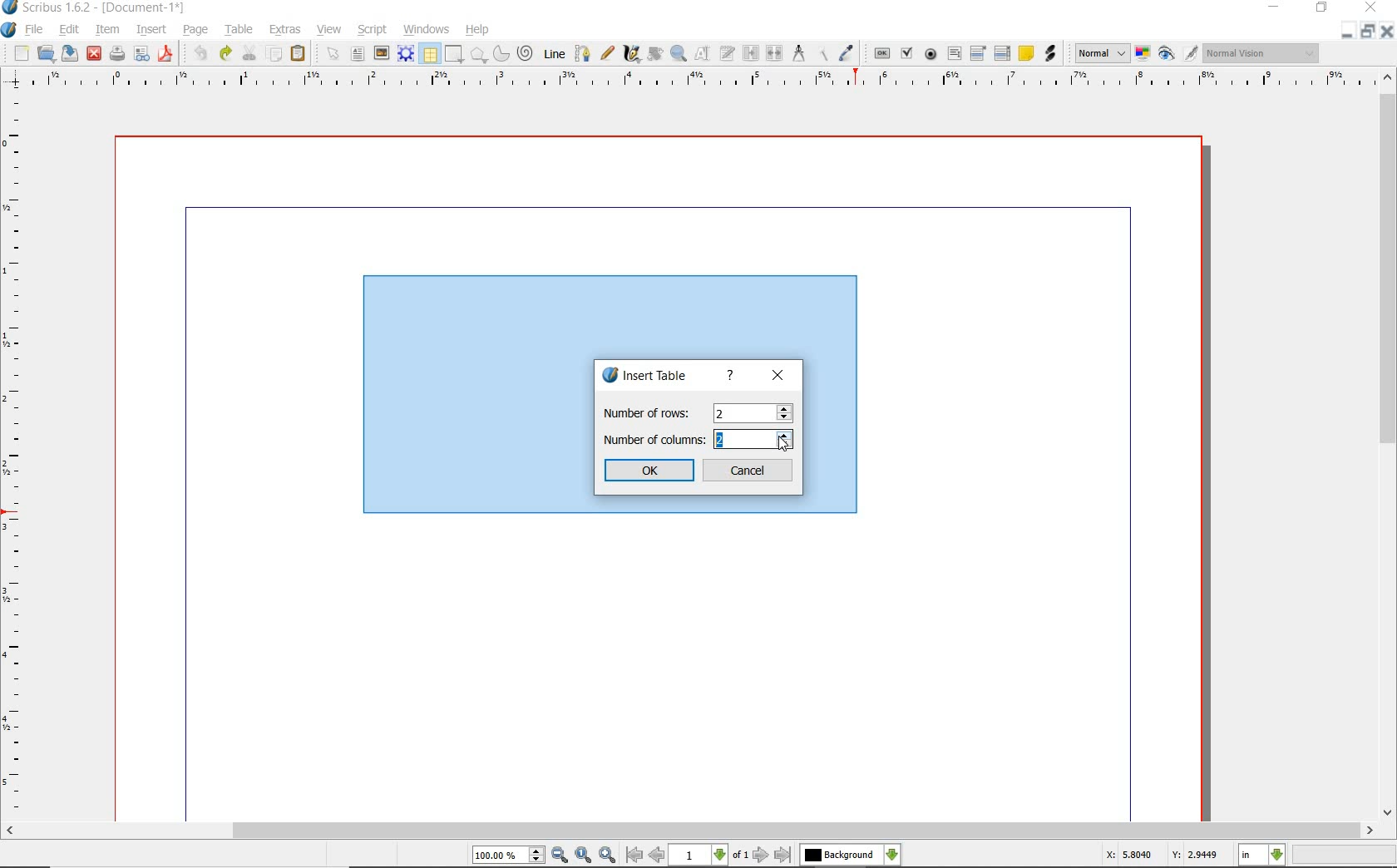 The width and height of the screenshot is (1397, 868). Describe the element at coordinates (526, 54) in the screenshot. I see `spiral` at that location.